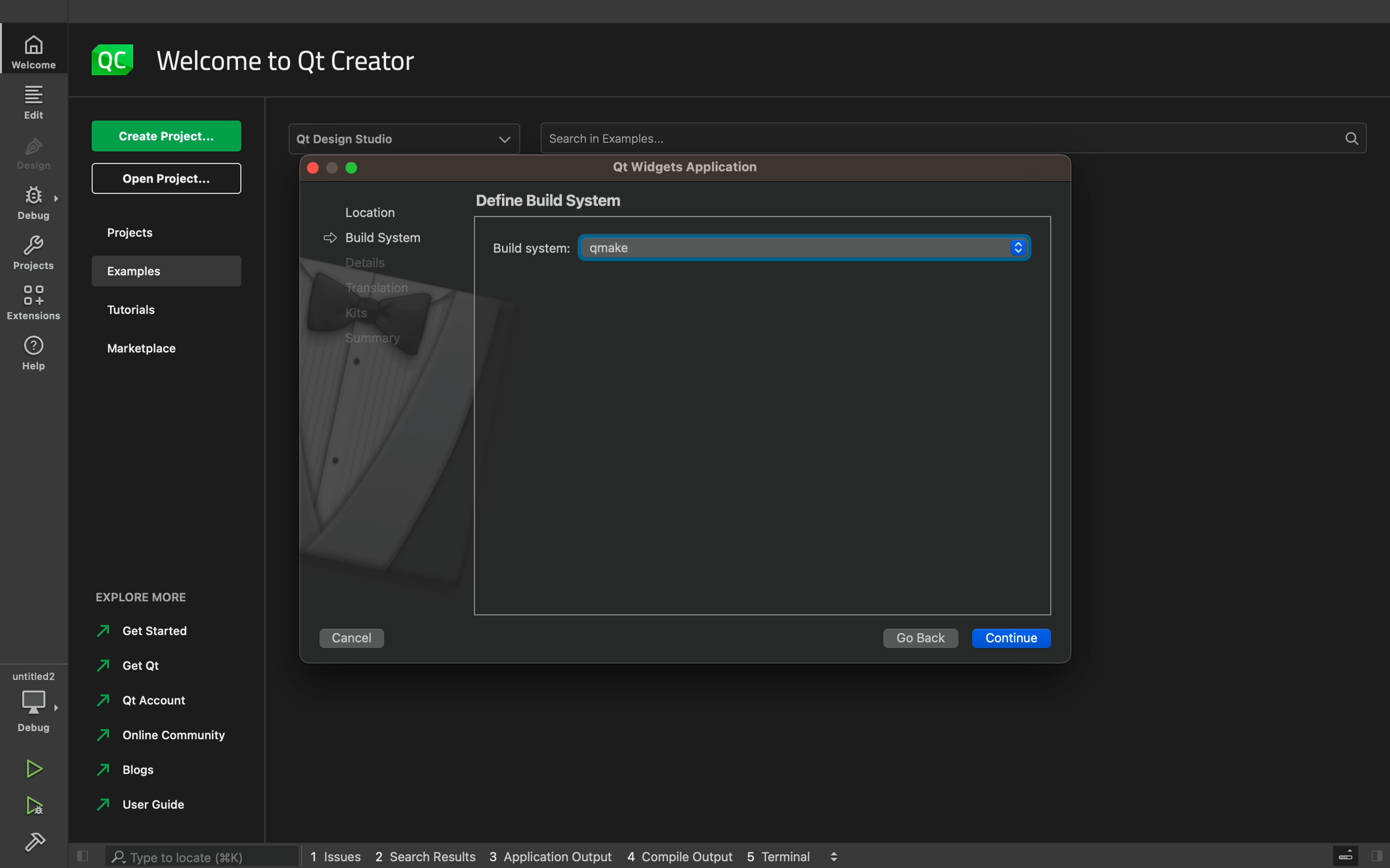 Image resolution: width=1390 pixels, height=868 pixels. What do you see at coordinates (138, 808) in the screenshot?
I see `` at bounding box center [138, 808].